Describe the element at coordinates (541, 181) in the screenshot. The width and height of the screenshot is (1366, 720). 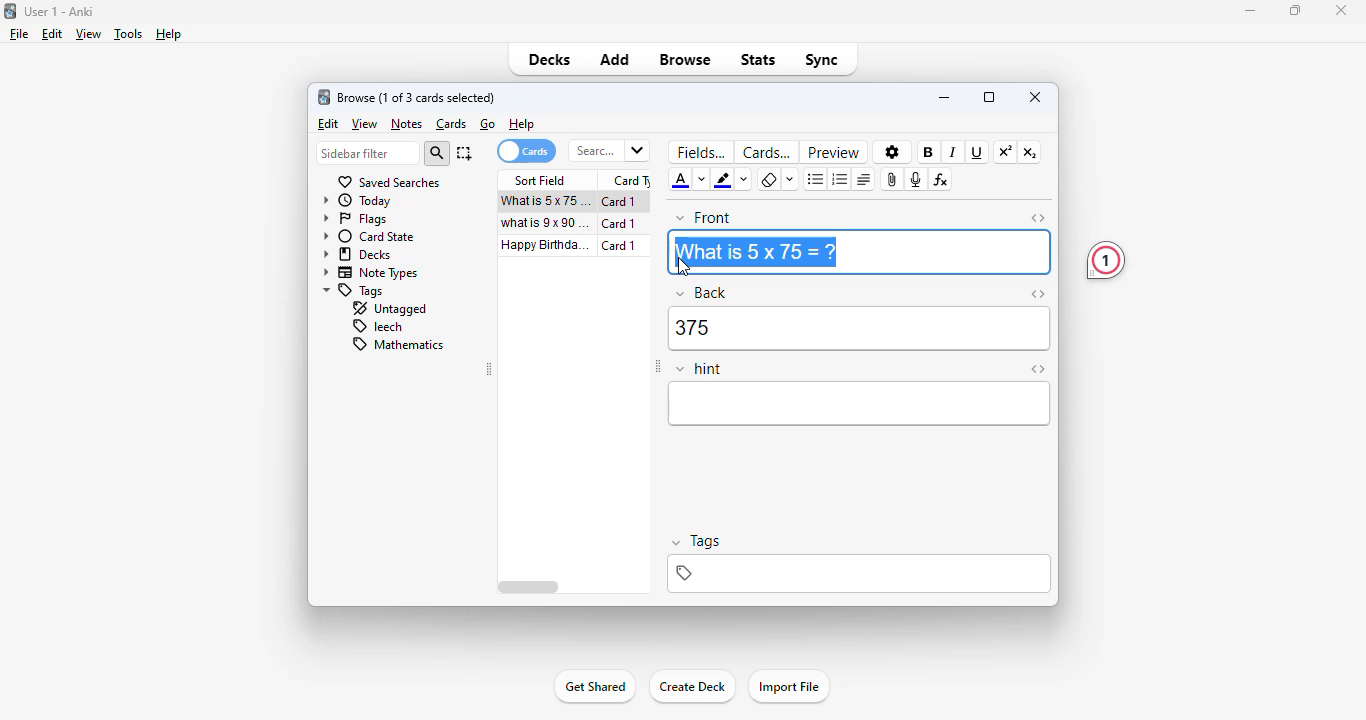
I see `sort field` at that location.